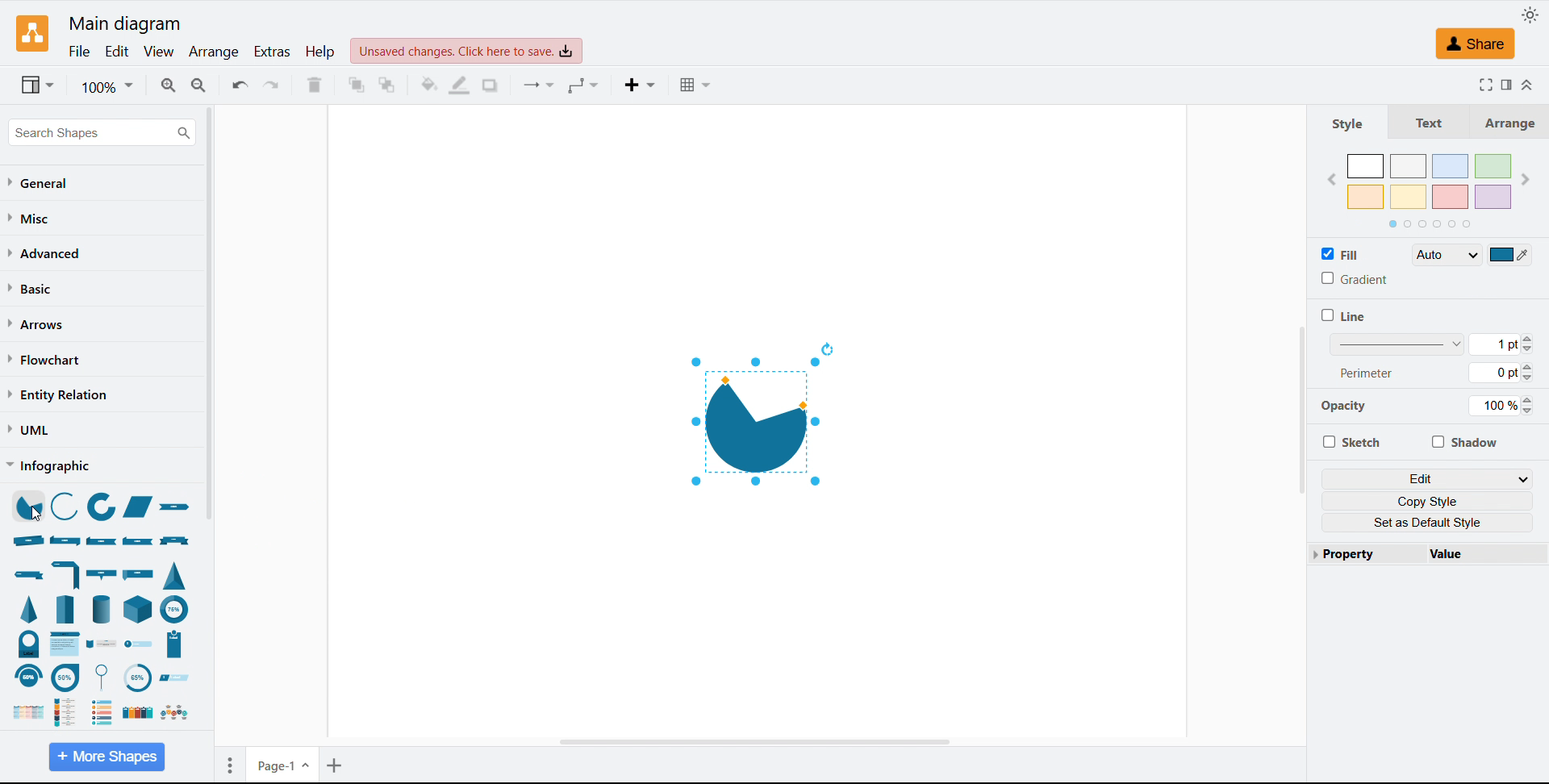  What do you see at coordinates (1509, 346) in the screenshot?
I see `1 pt` at bounding box center [1509, 346].